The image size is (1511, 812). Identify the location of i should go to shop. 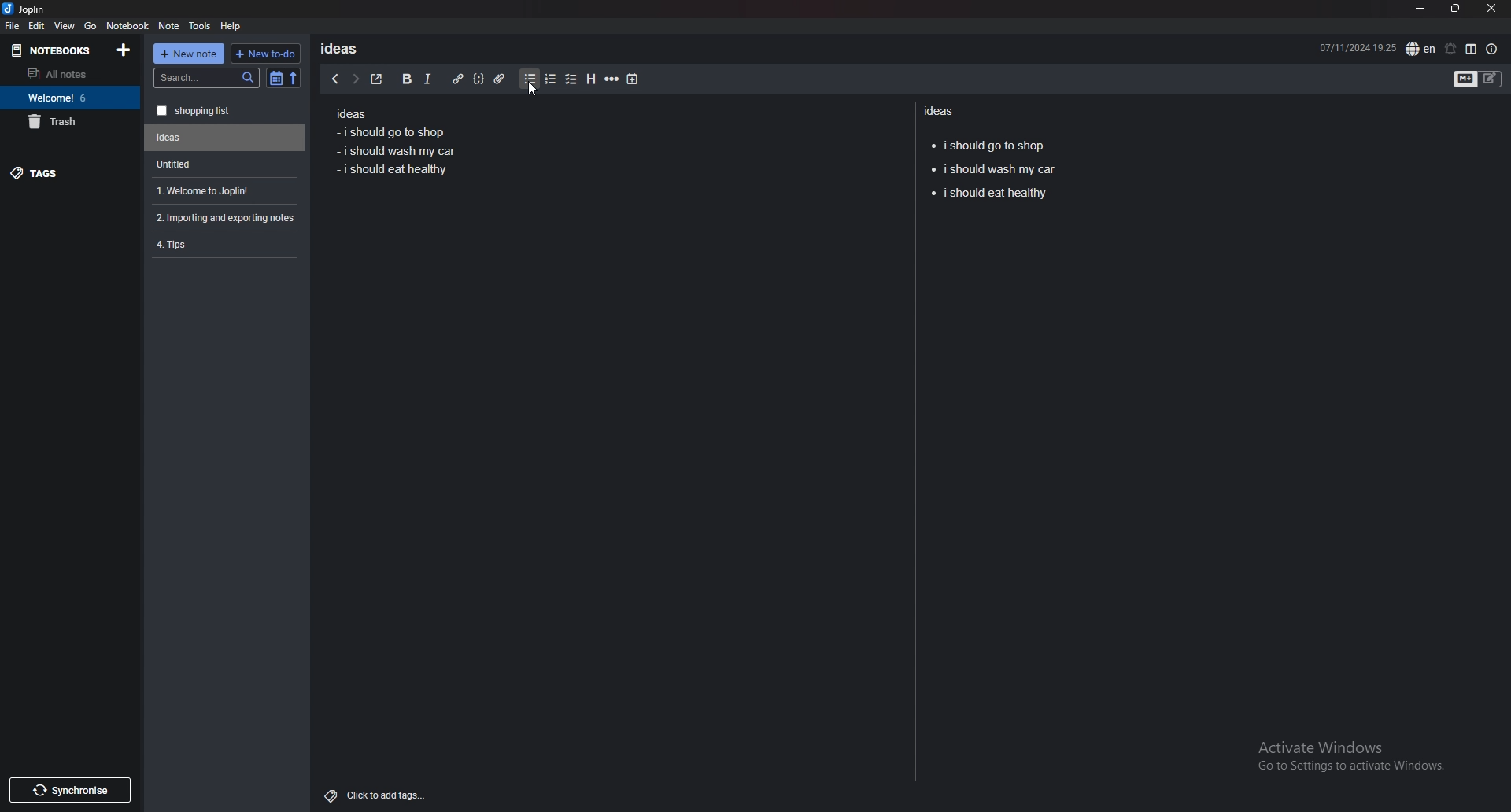
(389, 131).